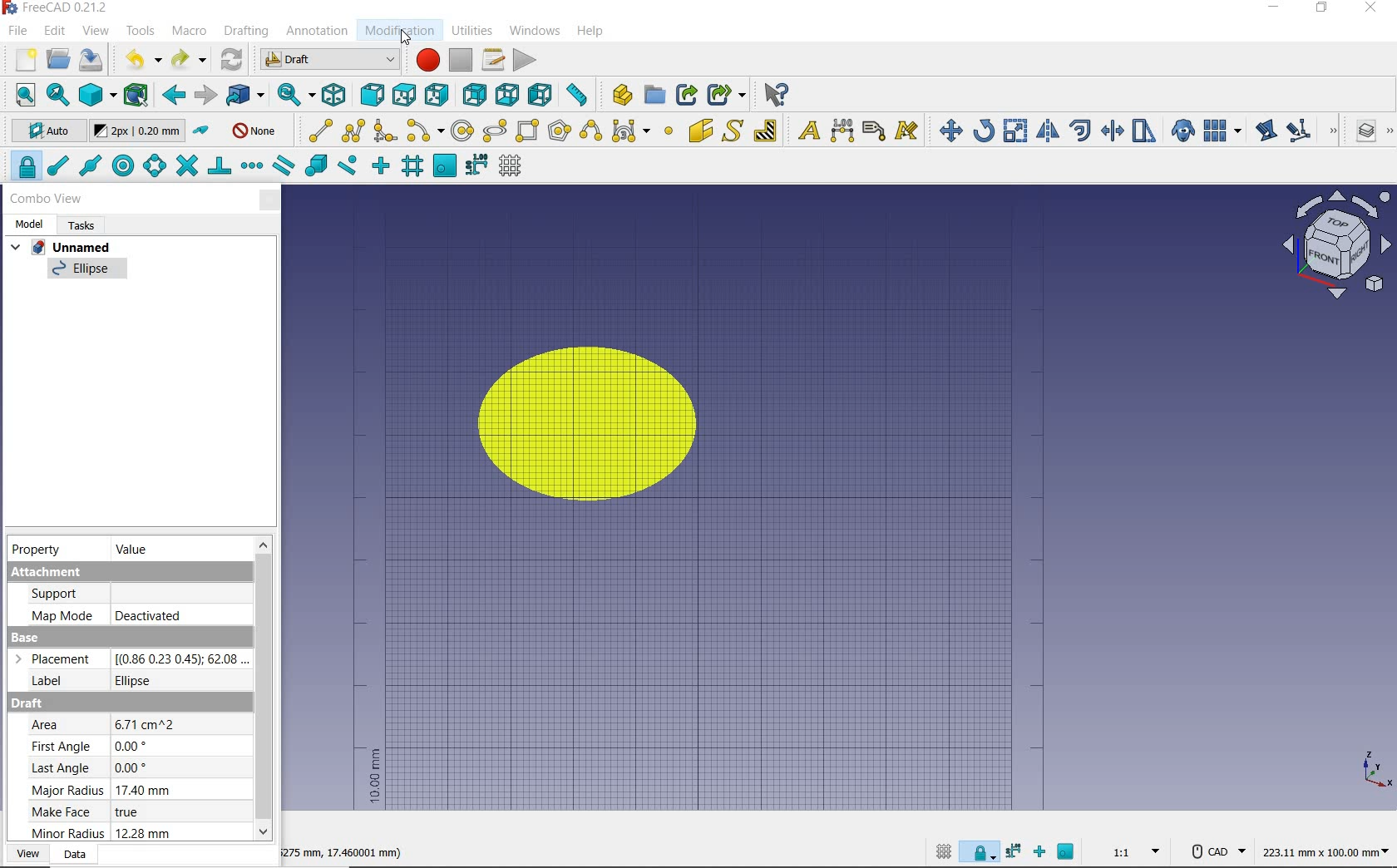 This screenshot has width=1397, height=868. Describe the element at coordinates (495, 131) in the screenshot. I see `ellipse` at that location.